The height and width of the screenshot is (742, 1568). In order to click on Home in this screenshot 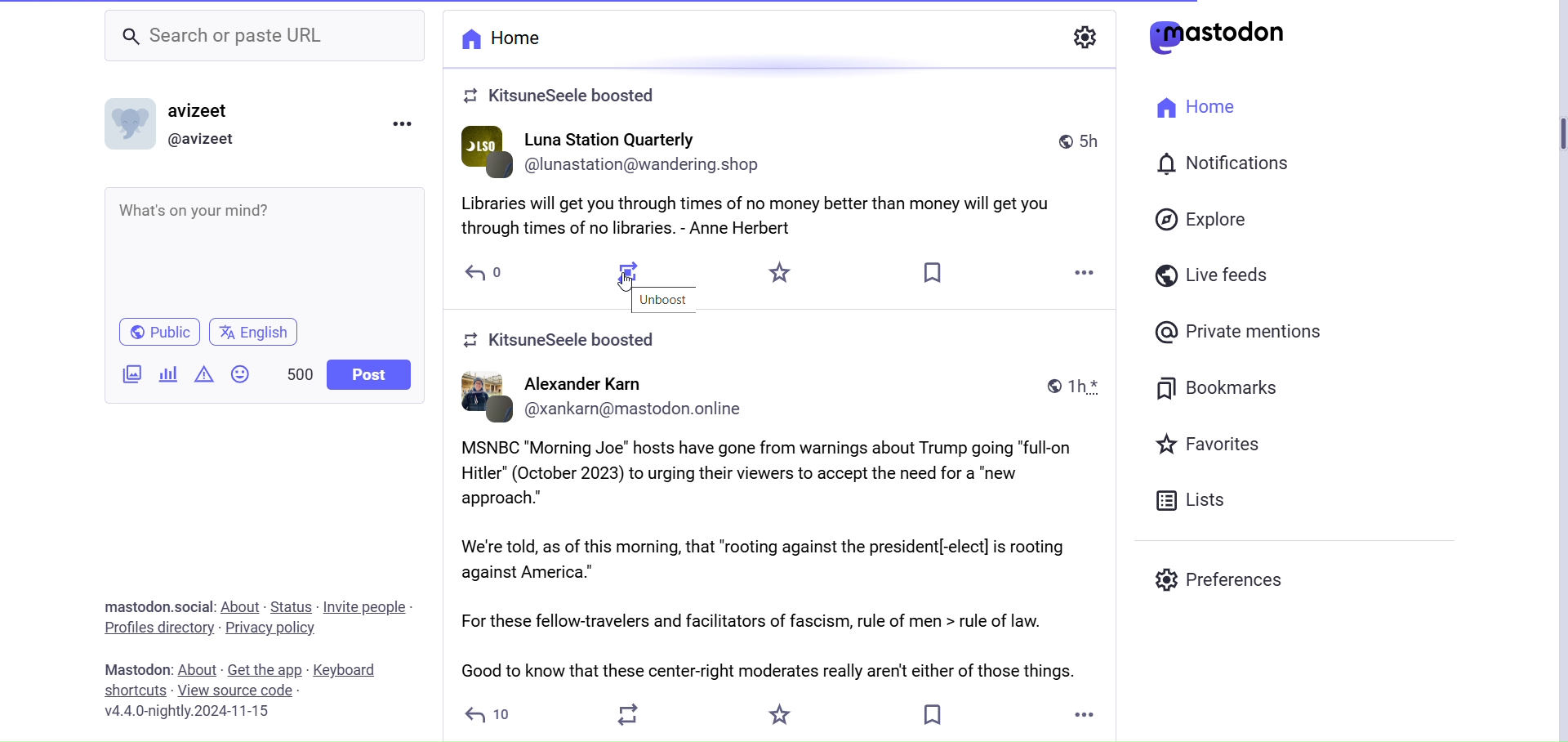, I will do `click(501, 38)`.